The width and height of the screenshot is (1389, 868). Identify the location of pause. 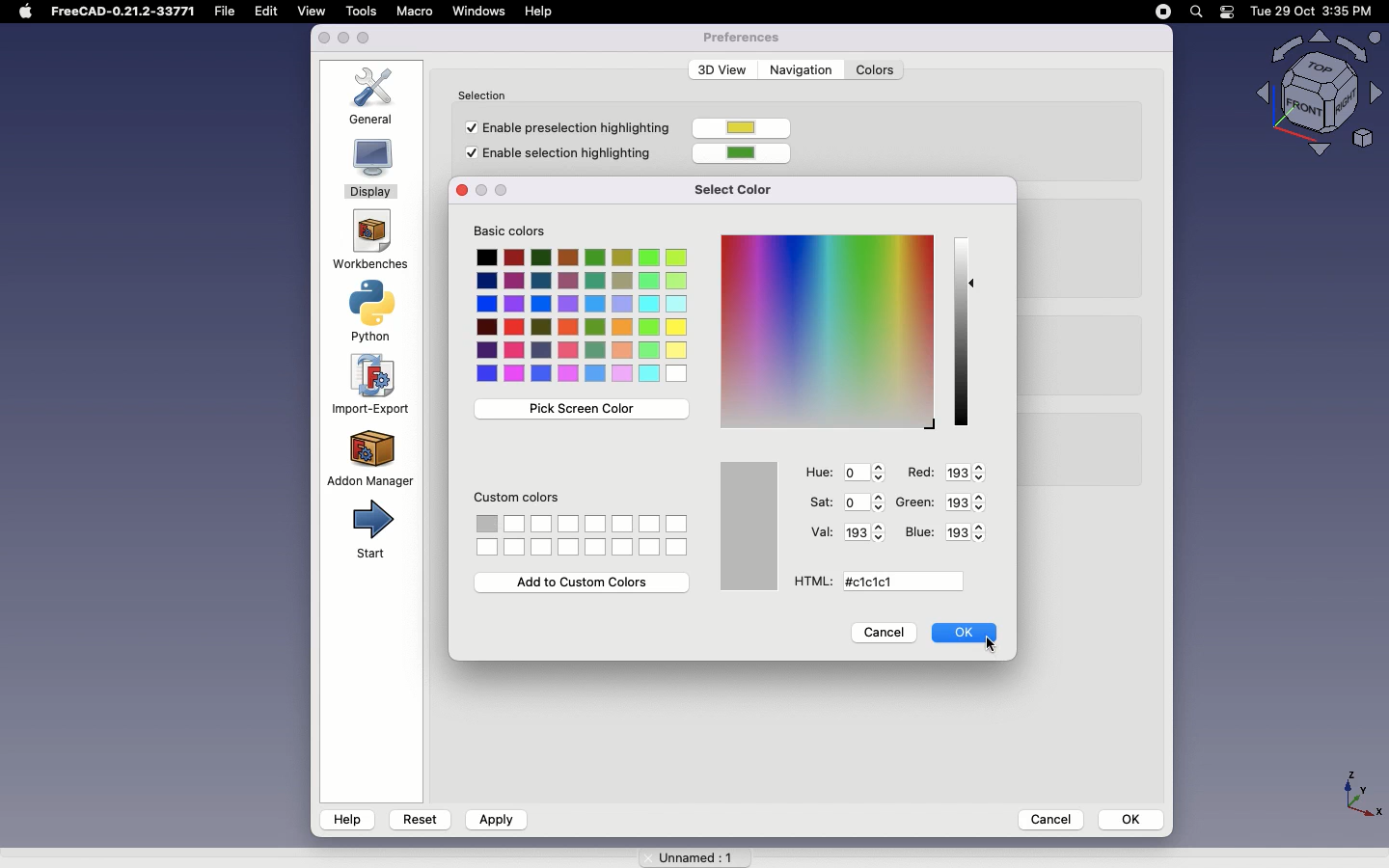
(1163, 12).